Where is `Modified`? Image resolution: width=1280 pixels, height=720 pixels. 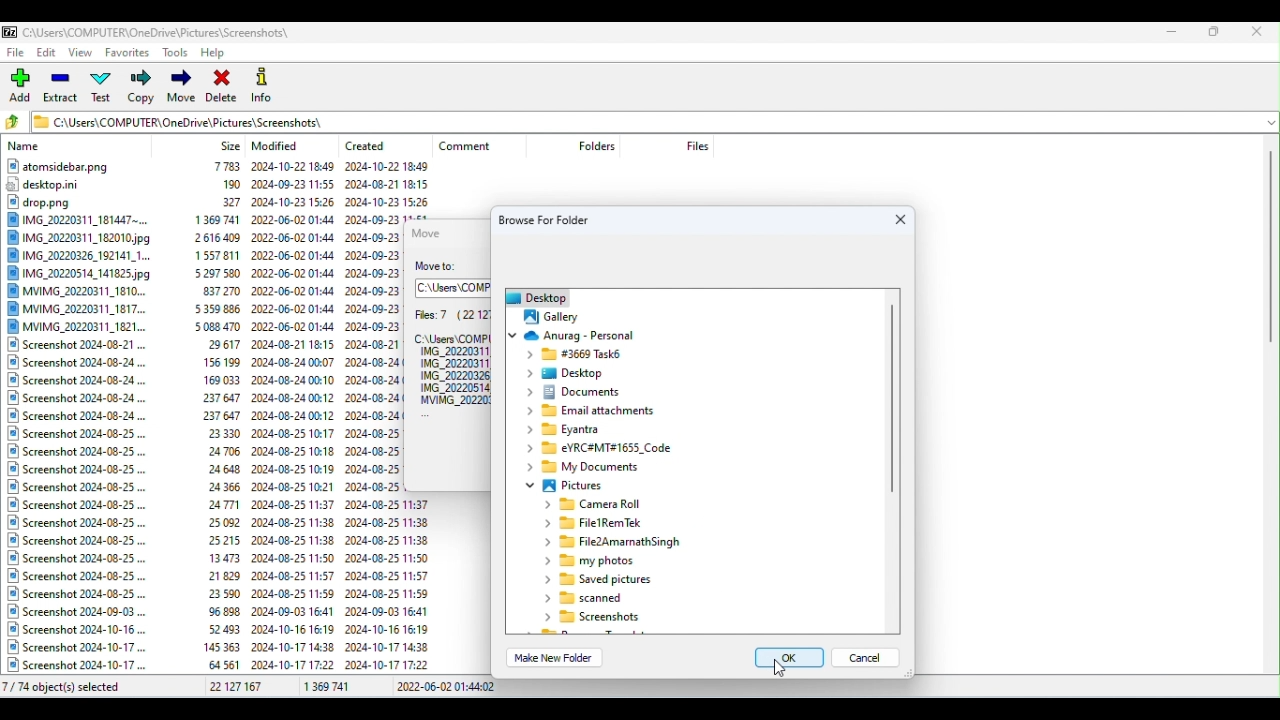
Modified is located at coordinates (279, 146).